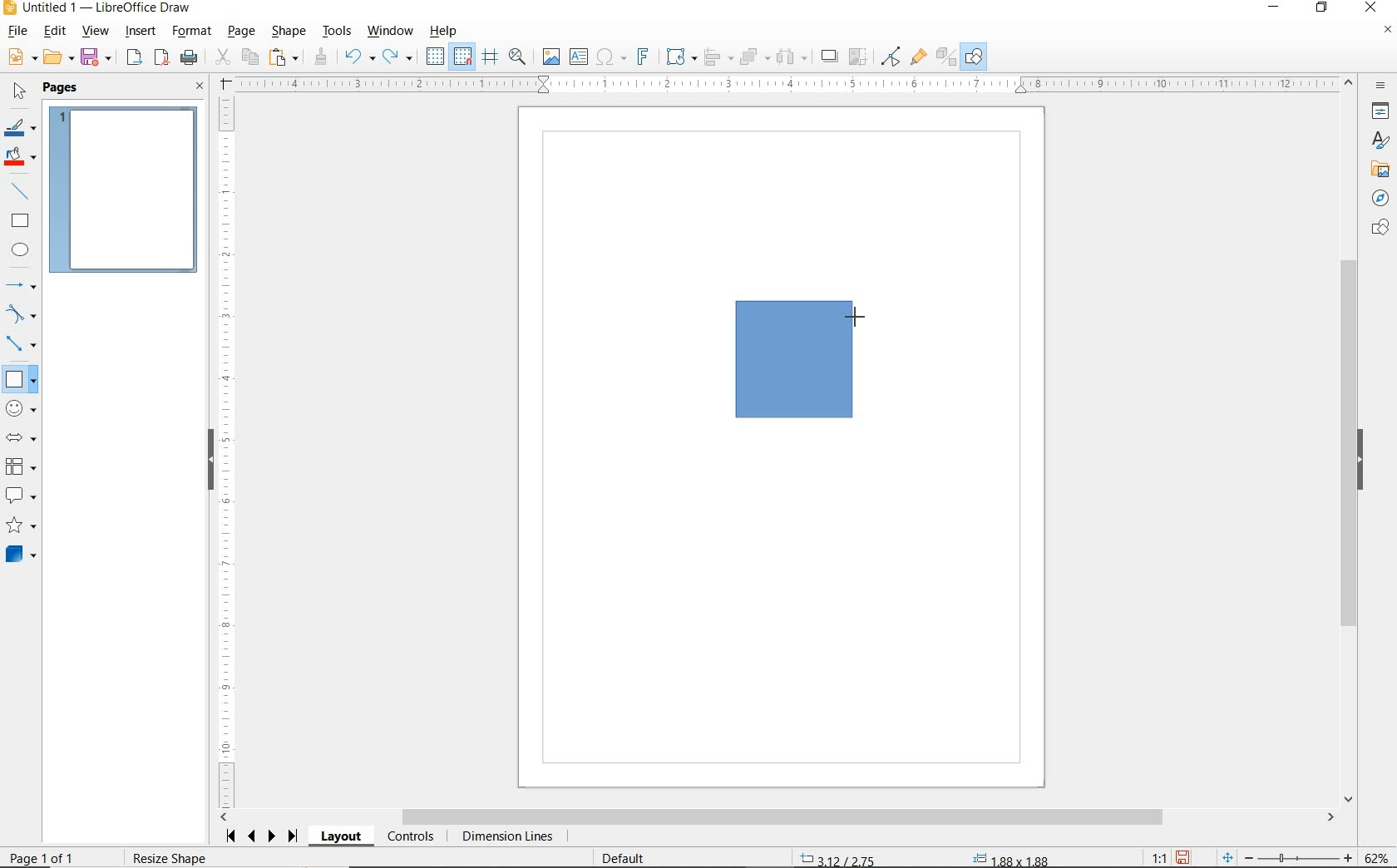 This screenshot has width=1397, height=868. Describe the element at coordinates (22, 313) in the screenshot. I see `CURVES AND POLYGONS` at that location.